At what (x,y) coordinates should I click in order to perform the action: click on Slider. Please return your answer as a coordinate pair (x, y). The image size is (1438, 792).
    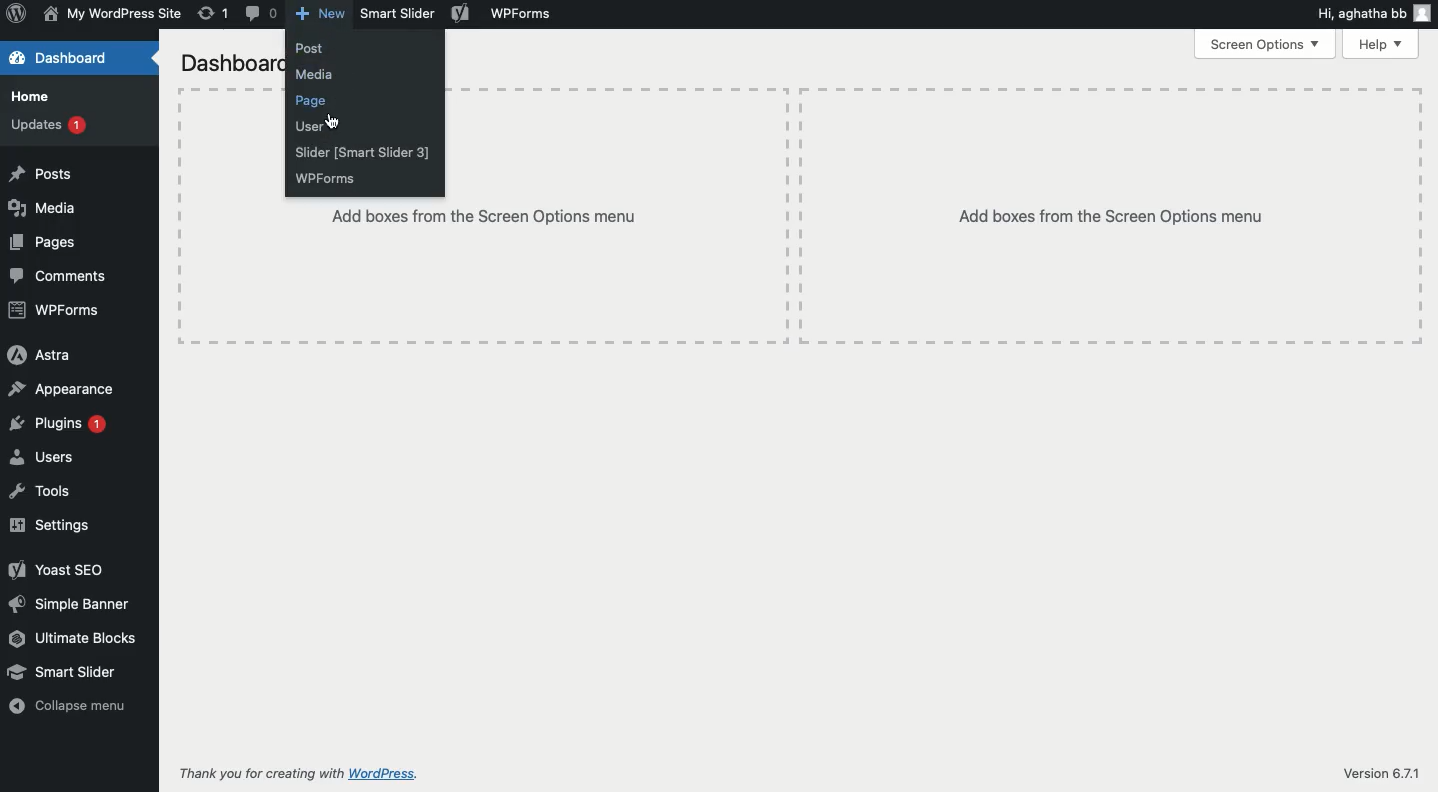
    Looking at the image, I should click on (368, 153).